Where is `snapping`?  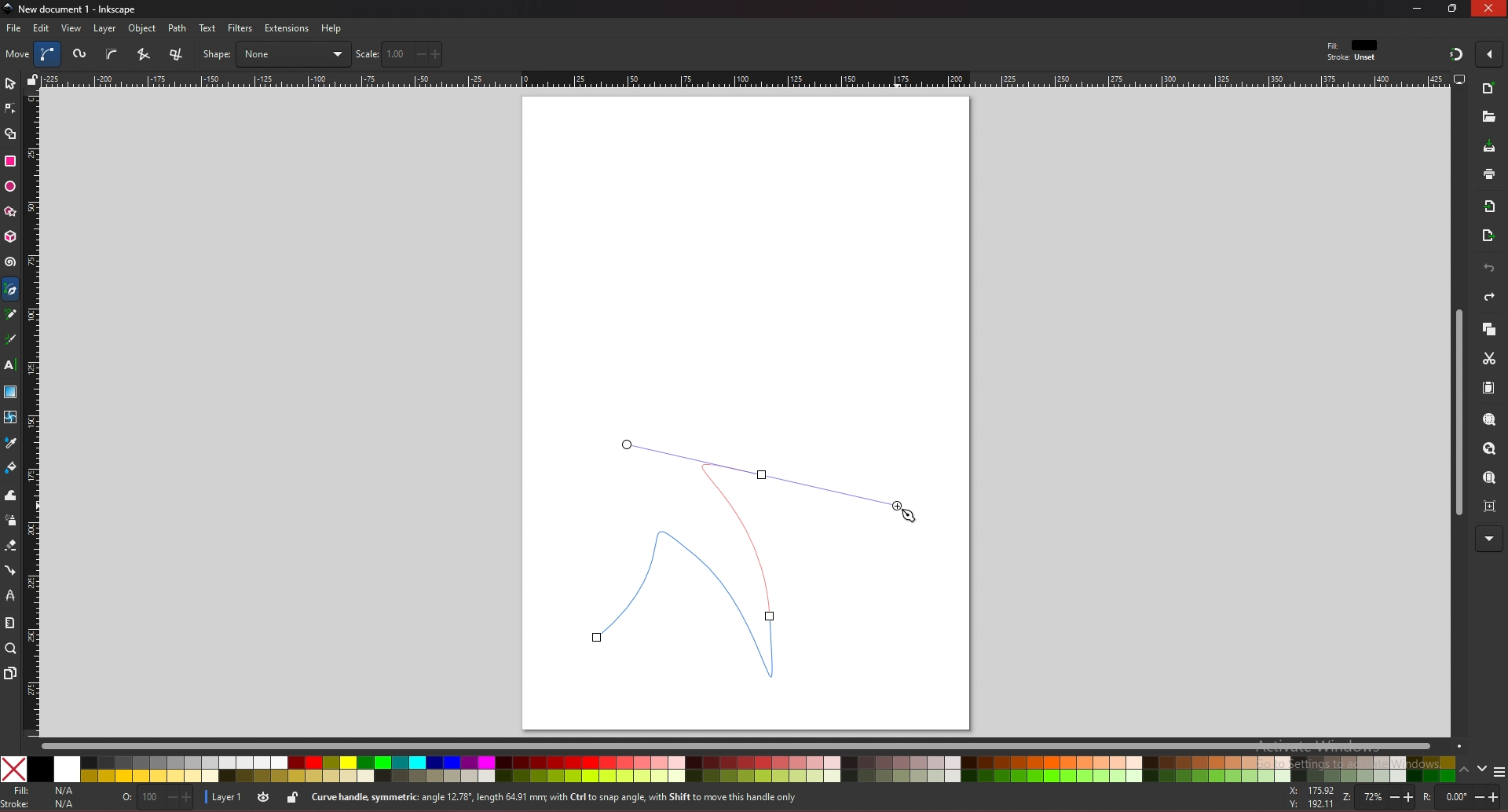
snapping is located at coordinates (1456, 53).